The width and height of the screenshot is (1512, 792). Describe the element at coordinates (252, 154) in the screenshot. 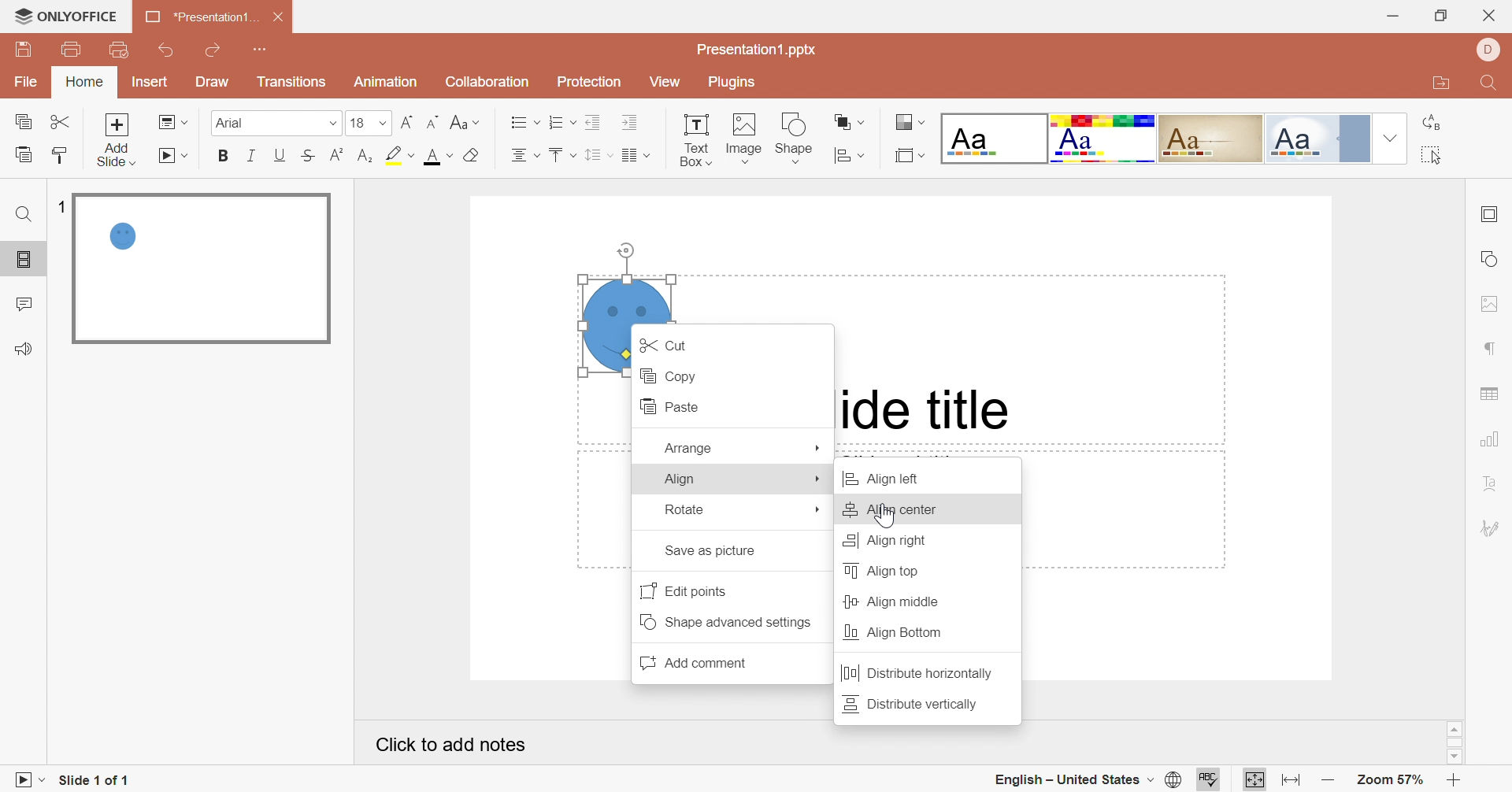

I see `Italic` at that location.